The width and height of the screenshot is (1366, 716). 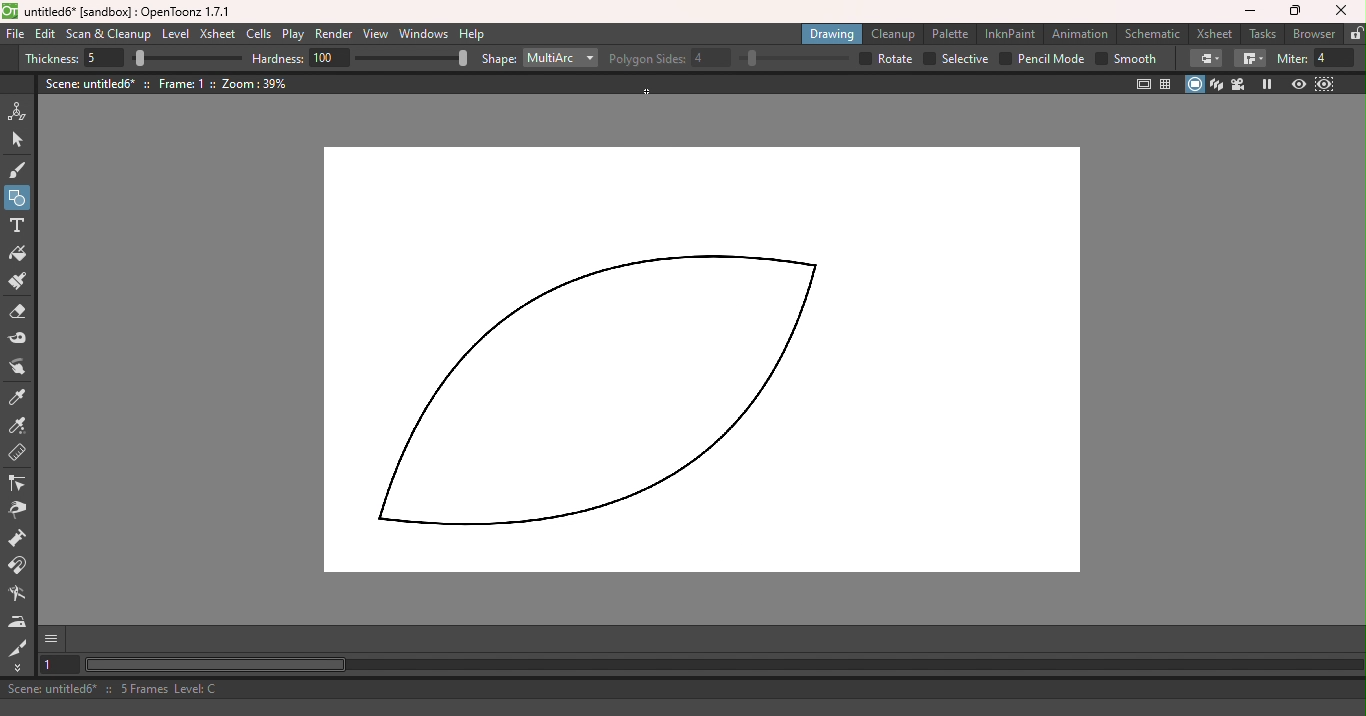 What do you see at coordinates (18, 370) in the screenshot?
I see `Finger tool` at bounding box center [18, 370].